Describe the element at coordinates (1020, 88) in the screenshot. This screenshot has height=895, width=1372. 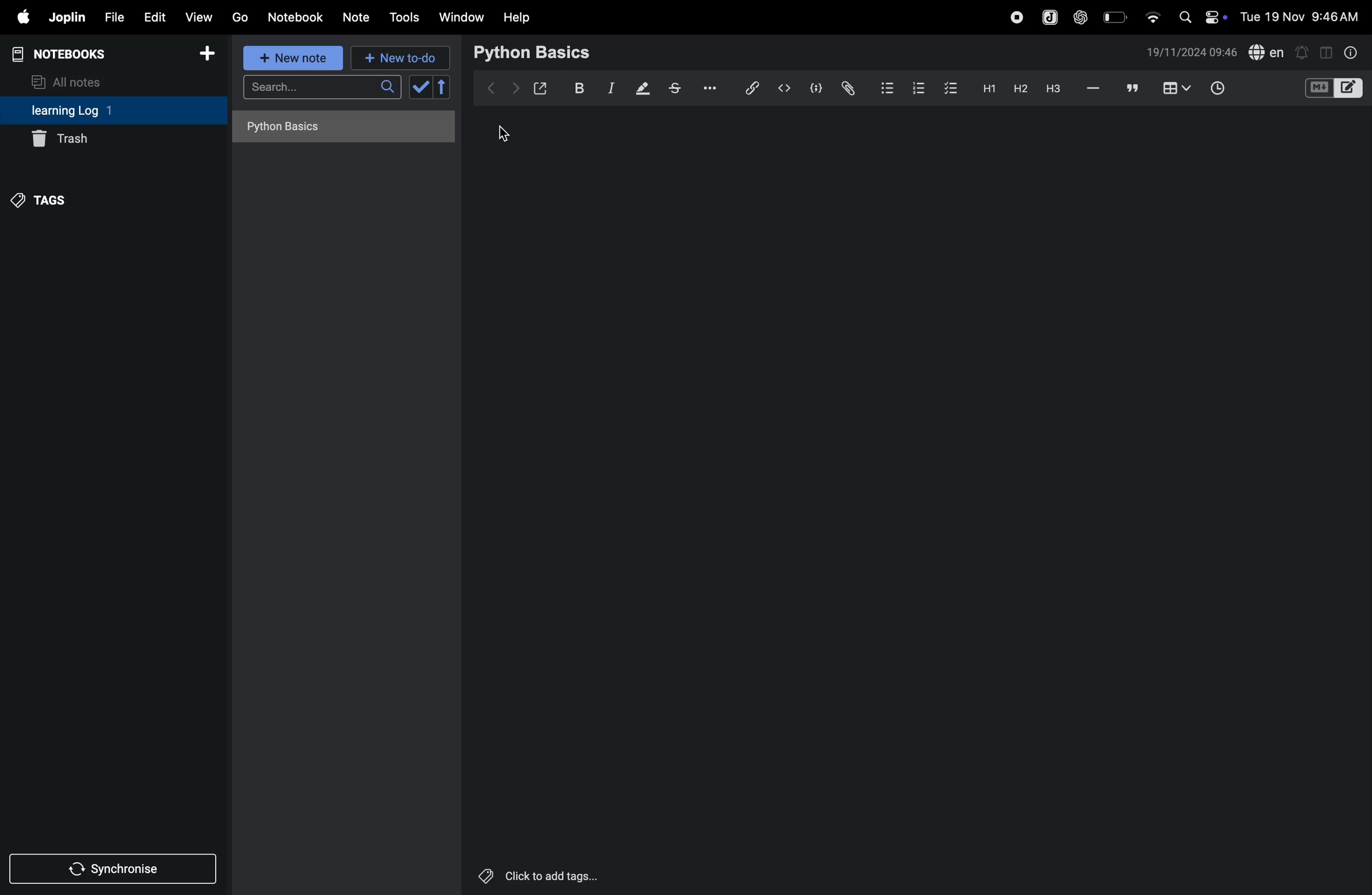
I see `heading 2` at that location.